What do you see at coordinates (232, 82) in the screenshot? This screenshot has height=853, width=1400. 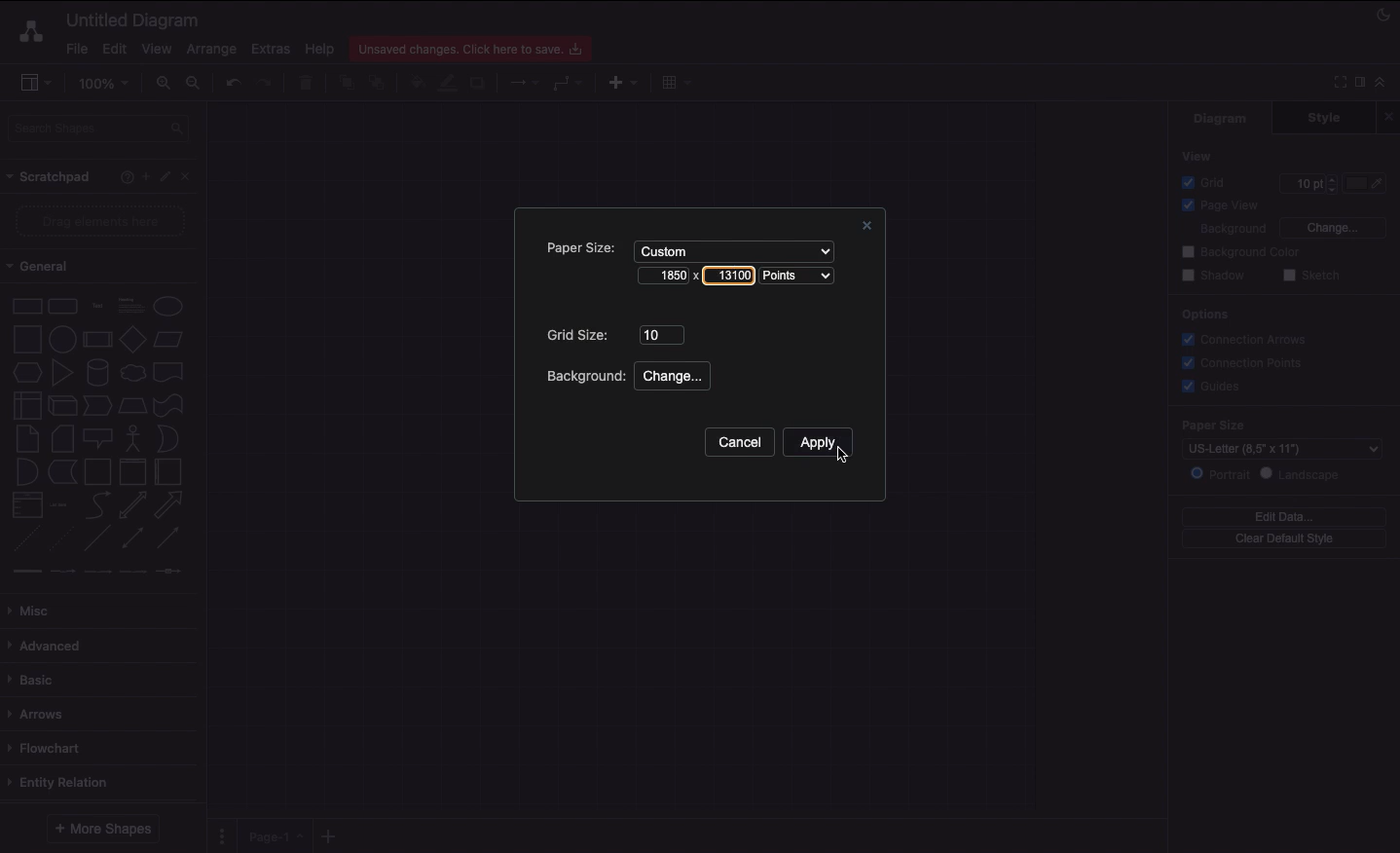 I see `Undo` at bounding box center [232, 82].